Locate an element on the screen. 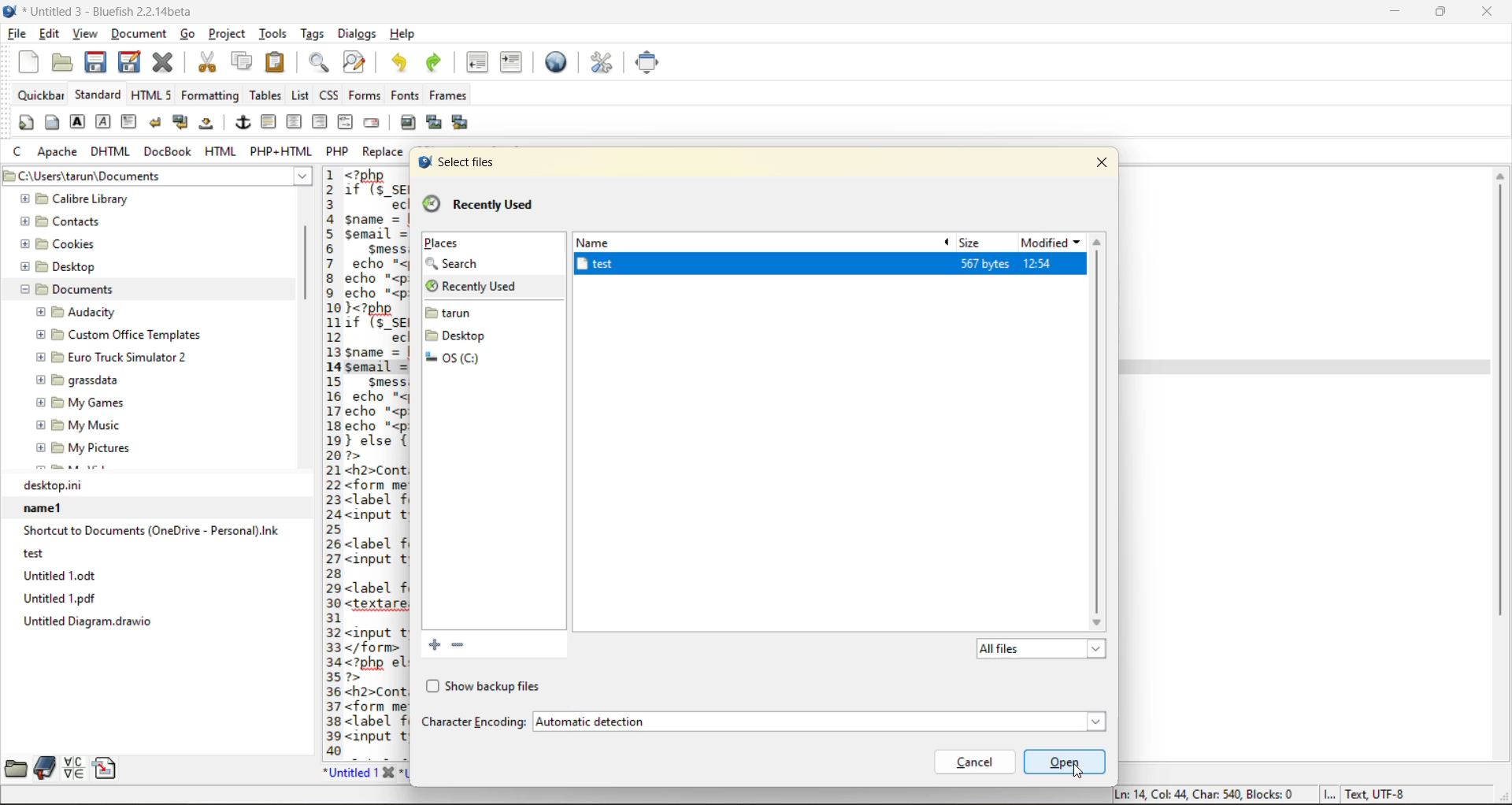 This screenshot has width=1512, height=805. open is located at coordinates (1064, 762).